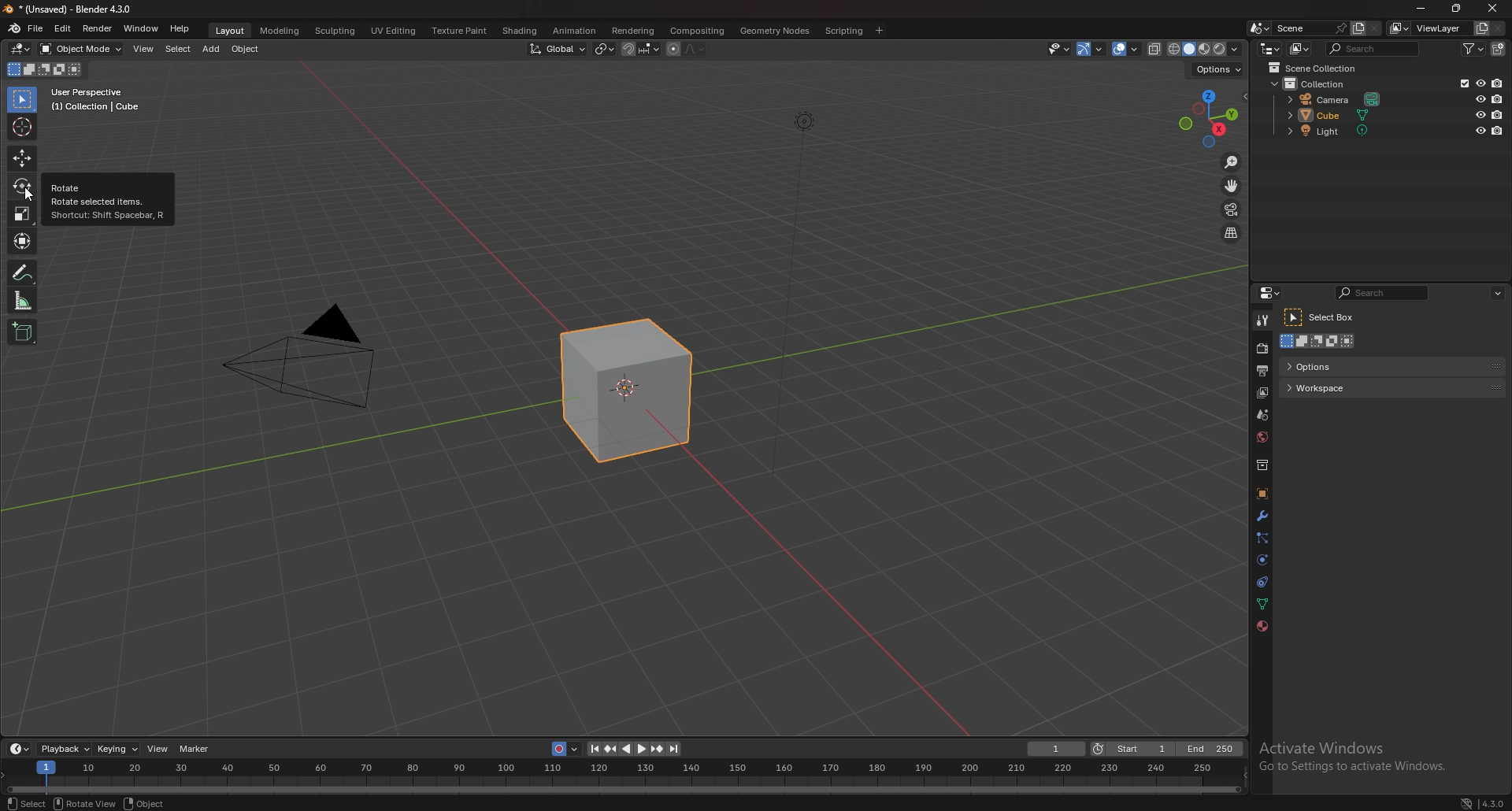 This screenshot has height=811, width=1512. I want to click on current frame, so click(1056, 749).